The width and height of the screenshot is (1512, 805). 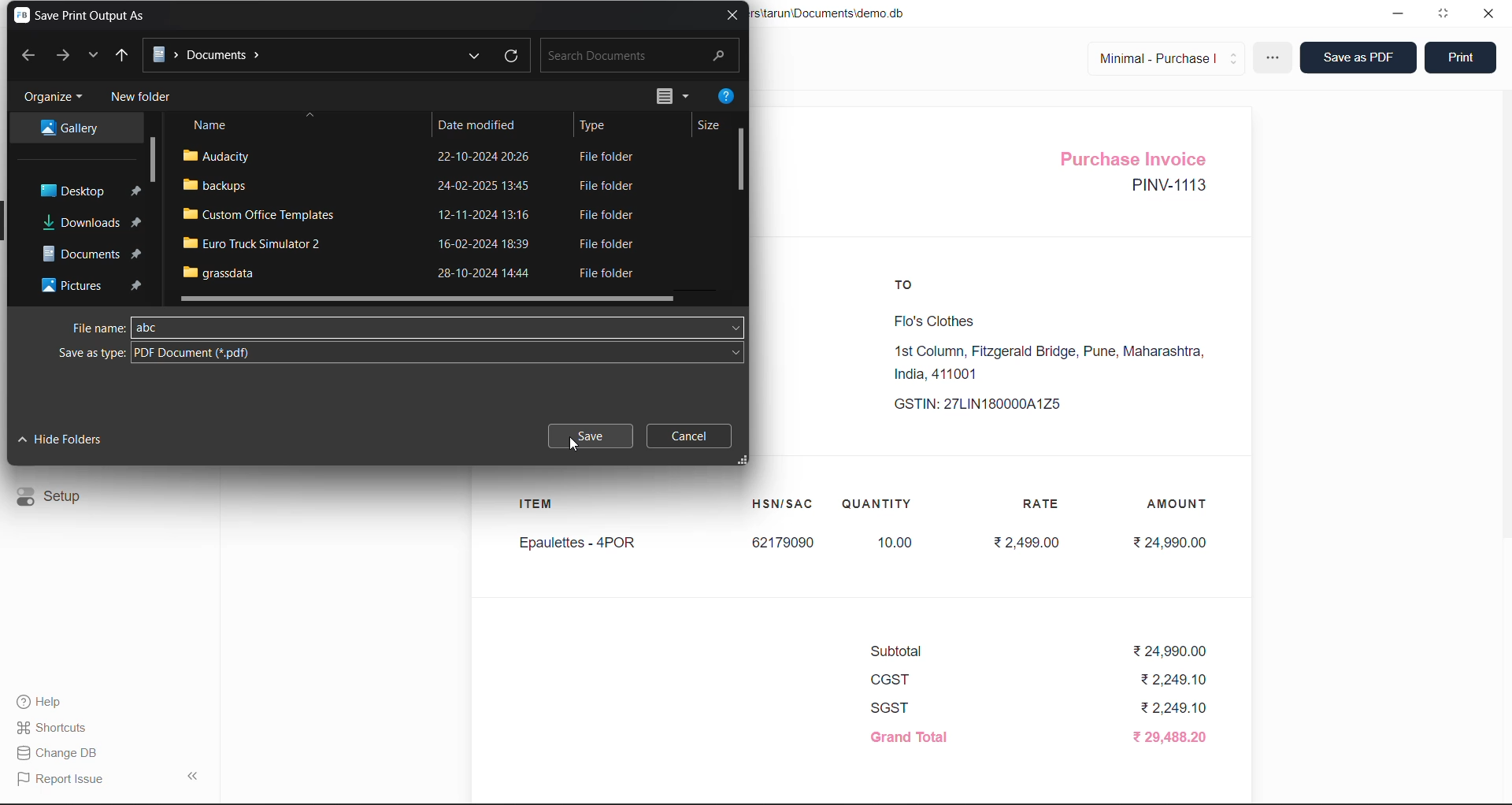 I want to click on horizontal scroll bar, so click(x=432, y=298).